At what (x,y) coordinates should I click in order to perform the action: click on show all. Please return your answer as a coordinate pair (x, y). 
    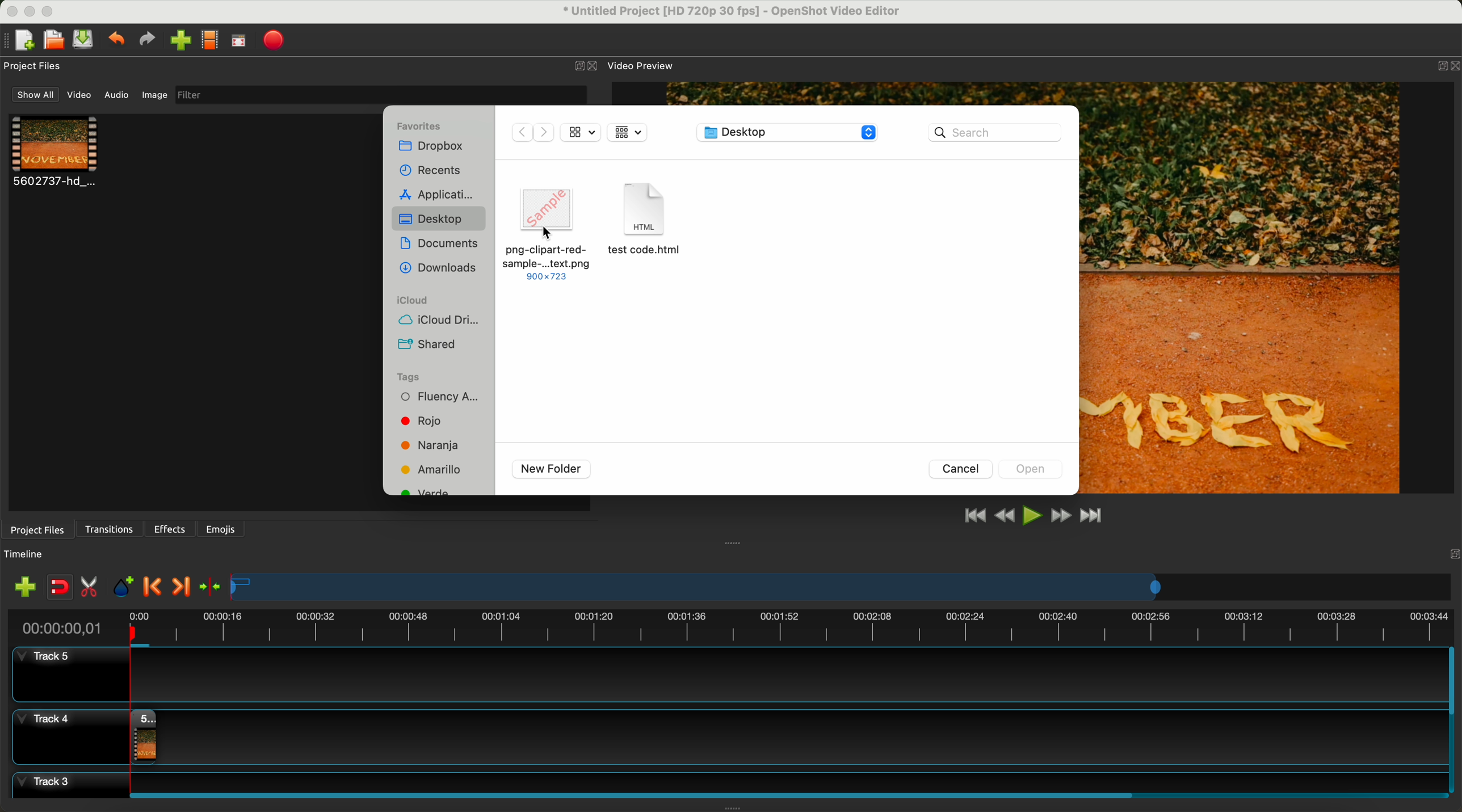
    Looking at the image, I should click on (36, 95).